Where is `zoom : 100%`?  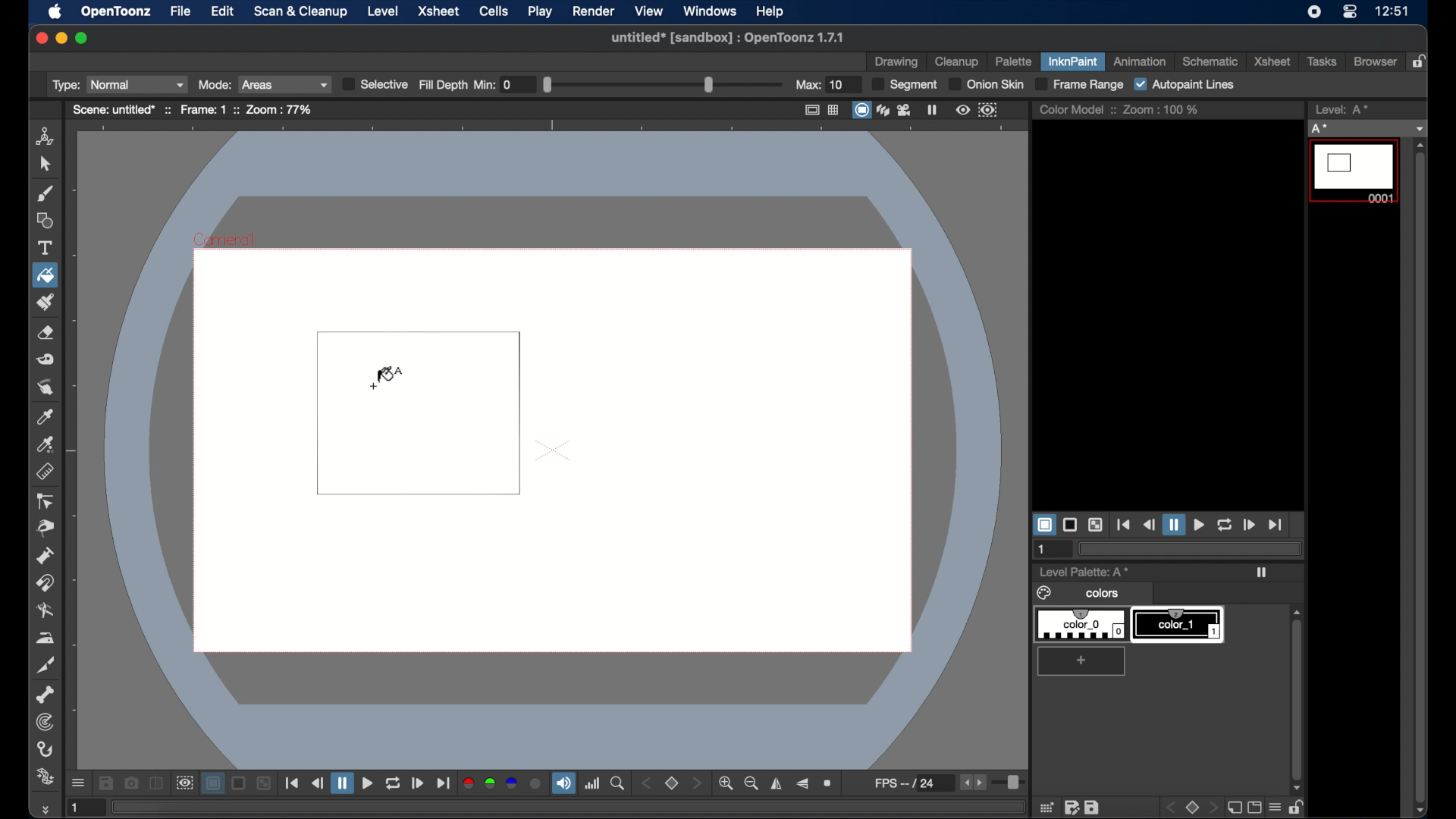
zoom : 100% is located at coordinates (1161, 109).